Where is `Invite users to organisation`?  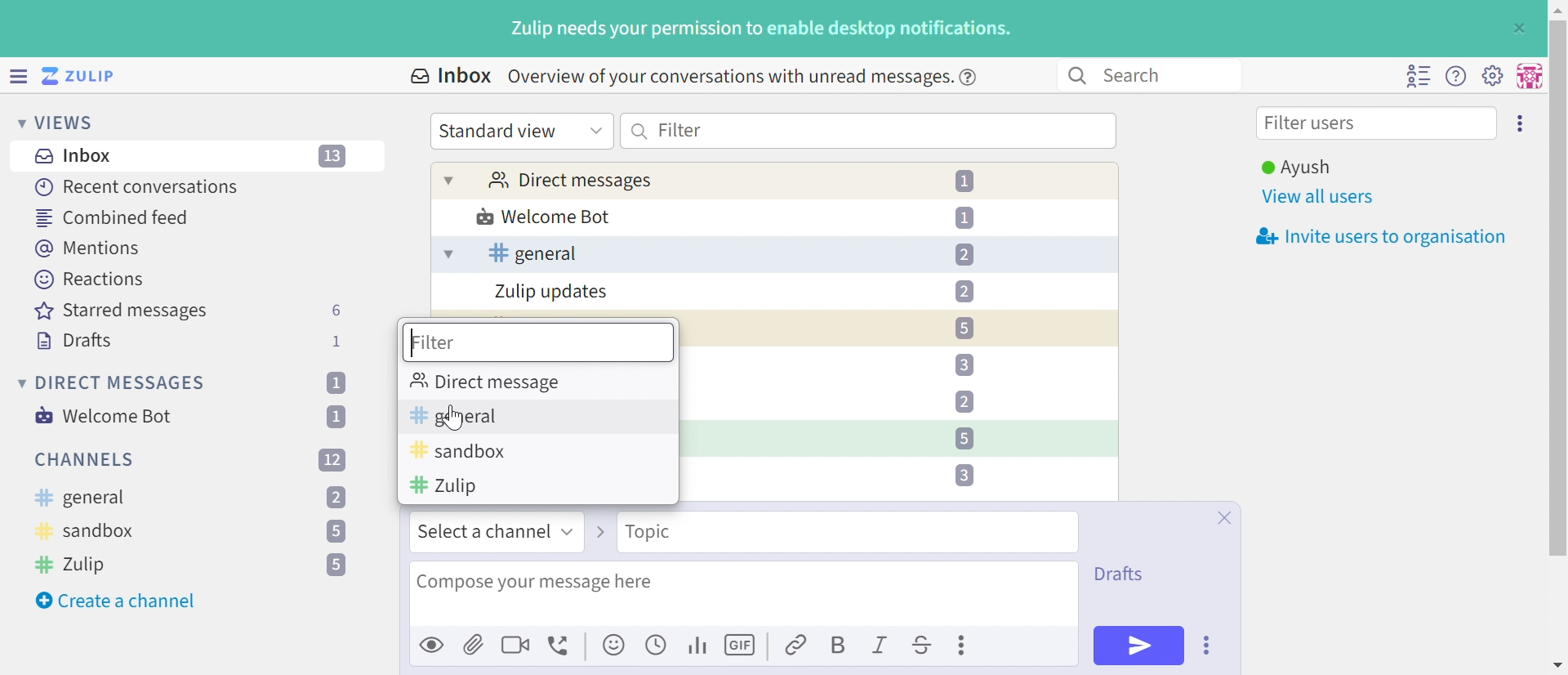 Invite users to organisation is located at coordinates (1521, 122).